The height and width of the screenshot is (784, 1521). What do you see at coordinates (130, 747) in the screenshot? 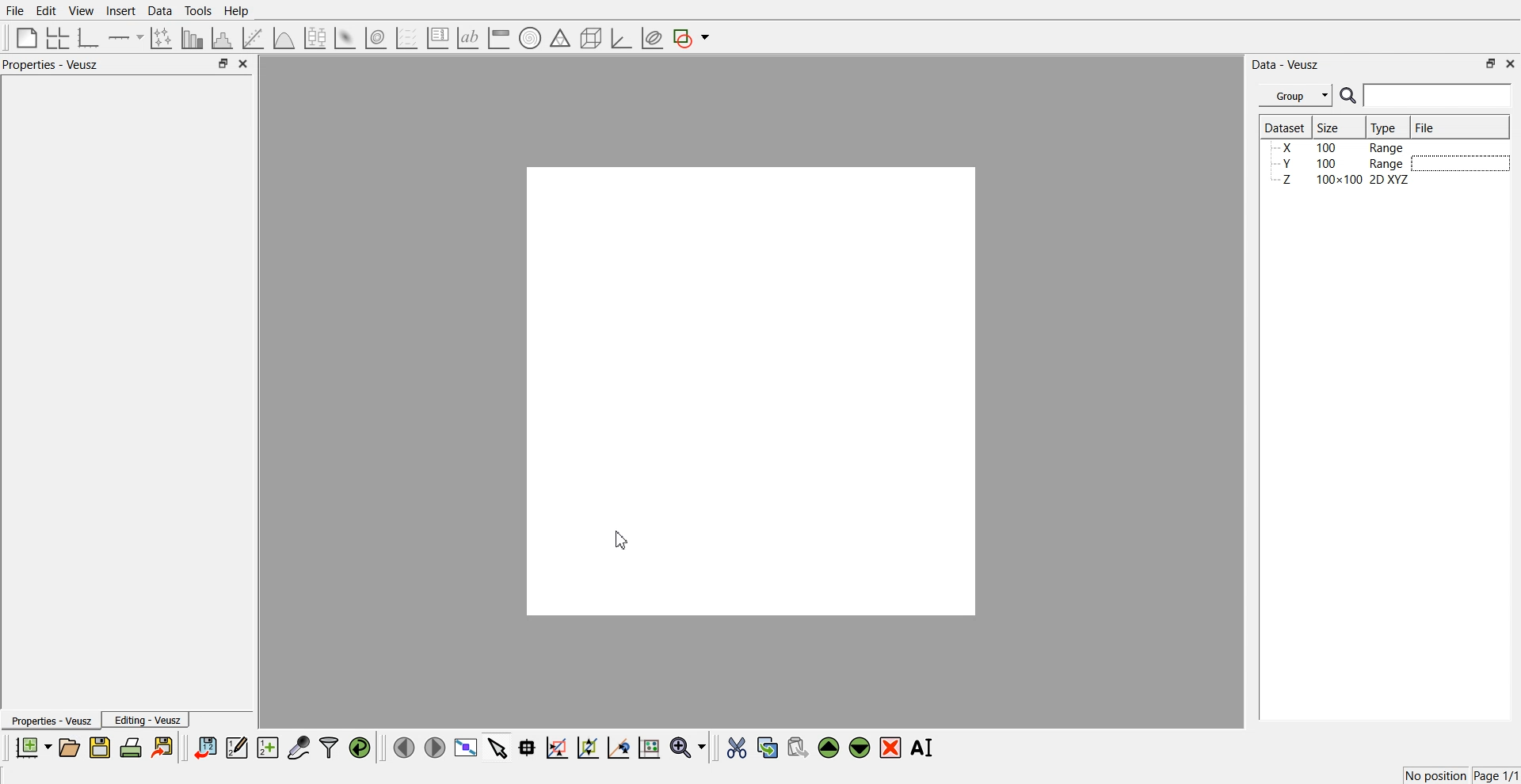
I see `Print the document` at bounding box center [130, 747].